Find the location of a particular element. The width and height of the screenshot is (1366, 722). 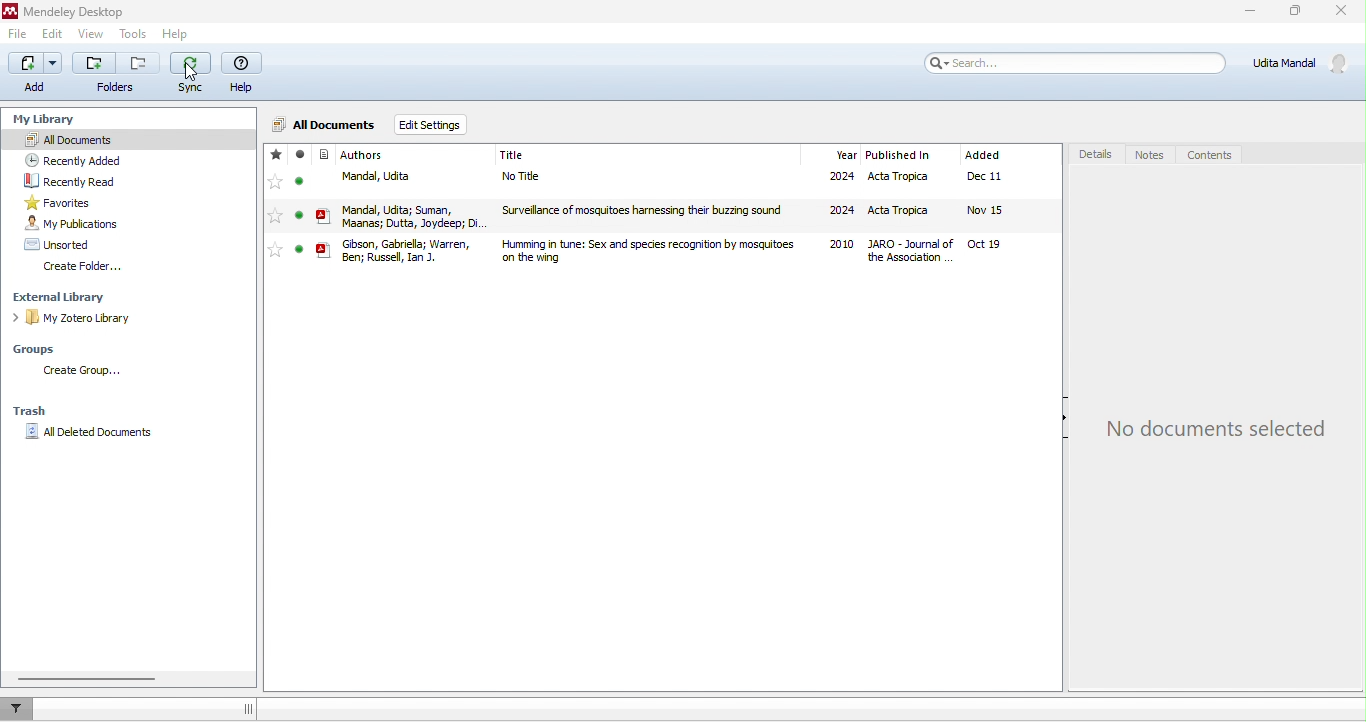

file is located at coordinates (653, 180).